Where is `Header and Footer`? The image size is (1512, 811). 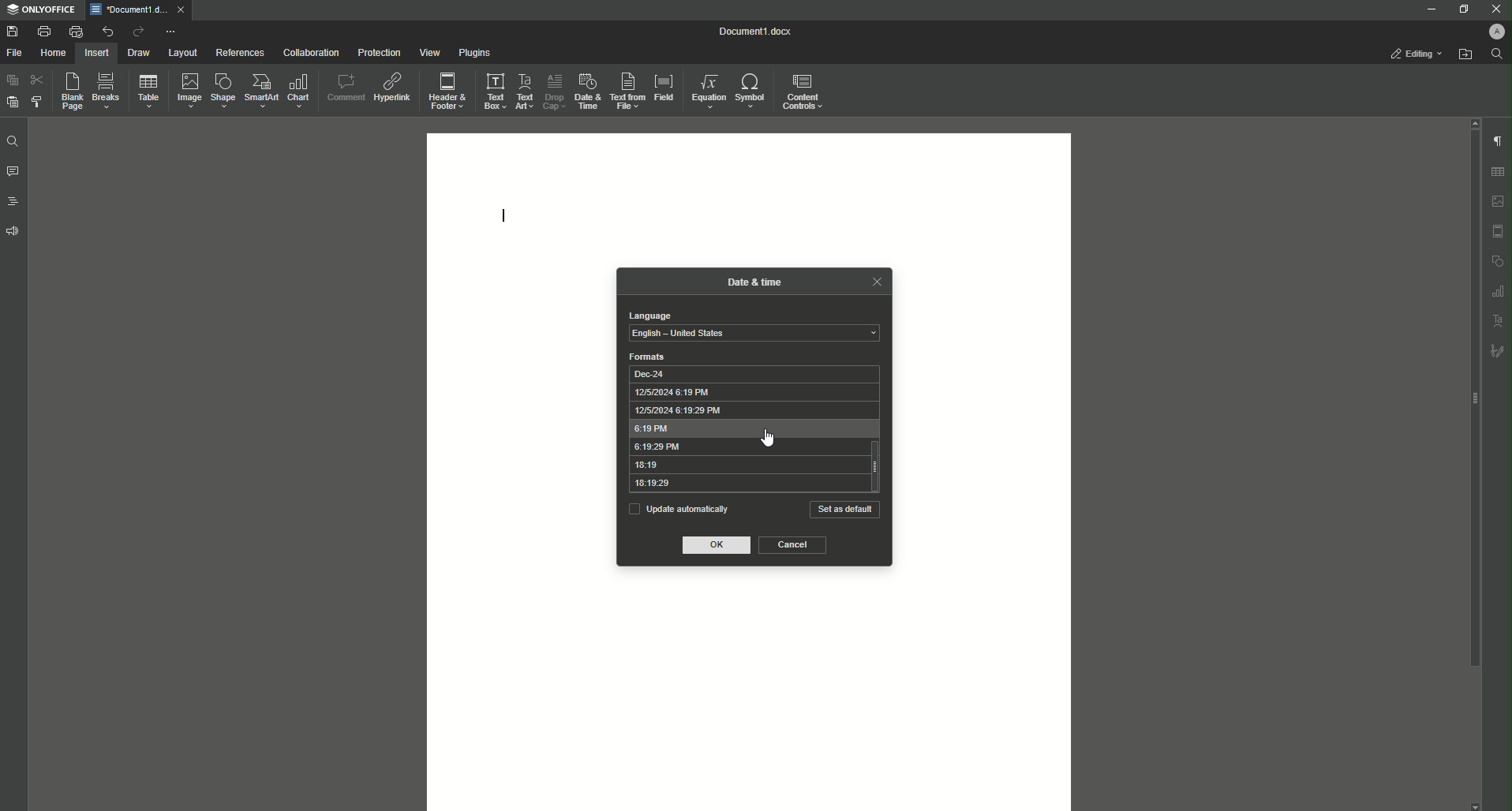
Header and Footer is located at coordinates (447, 88).